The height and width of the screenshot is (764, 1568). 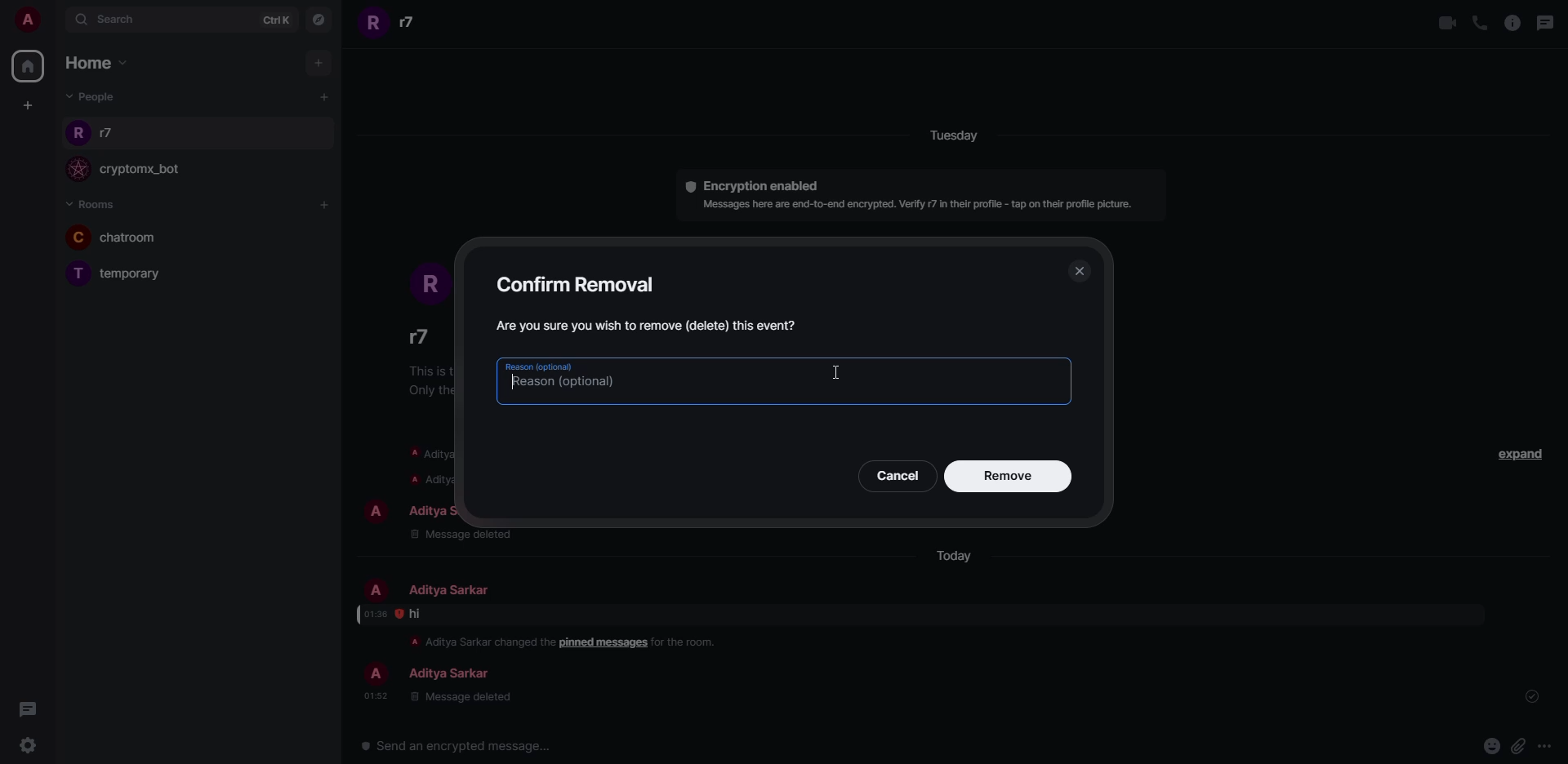 What do you see at coordinates (460, 698) in the screenshot?
I see `message deleted` at bounding box center [460, 698].